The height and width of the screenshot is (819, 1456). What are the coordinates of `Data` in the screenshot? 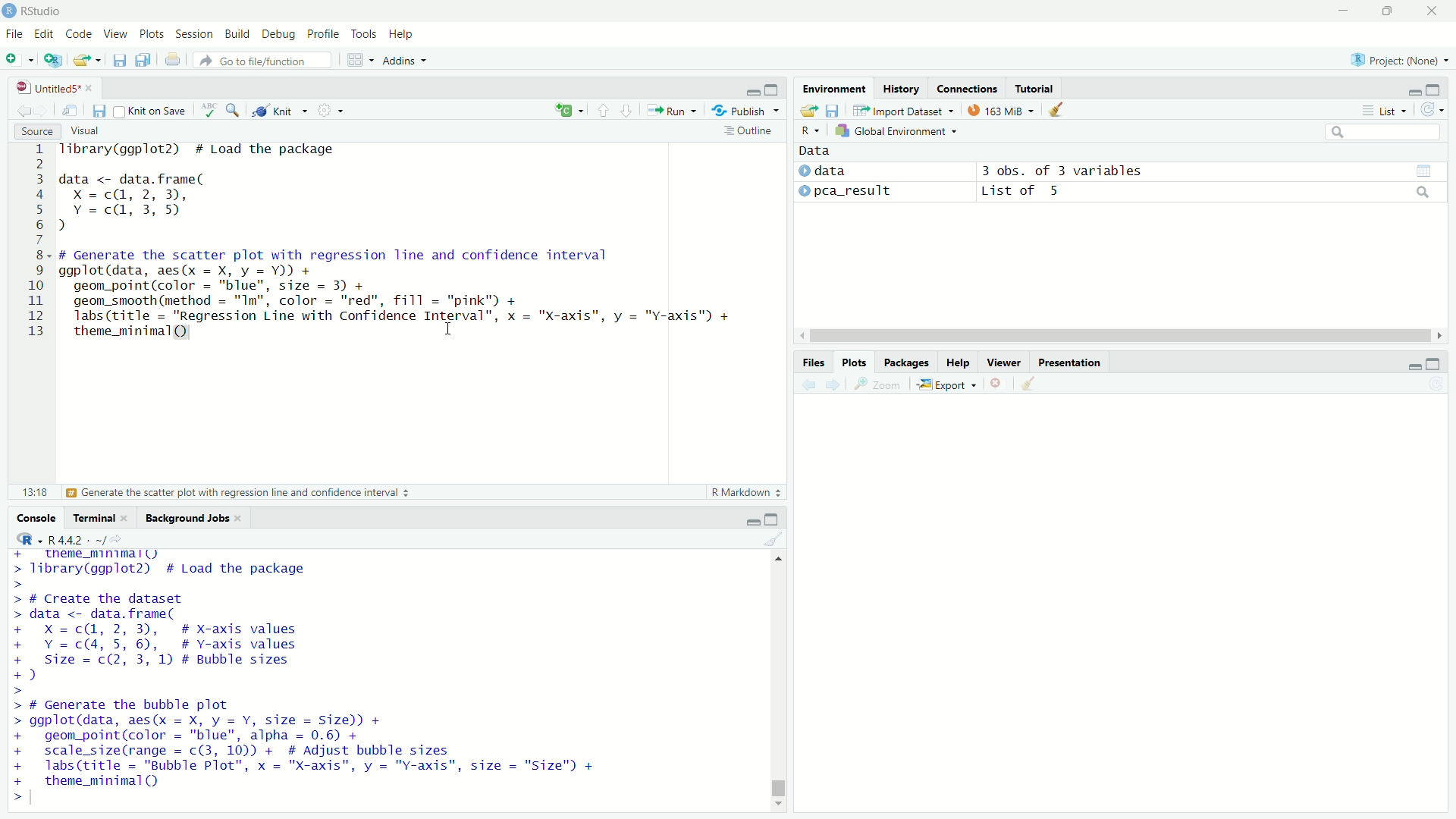 It's located at (814, 151).